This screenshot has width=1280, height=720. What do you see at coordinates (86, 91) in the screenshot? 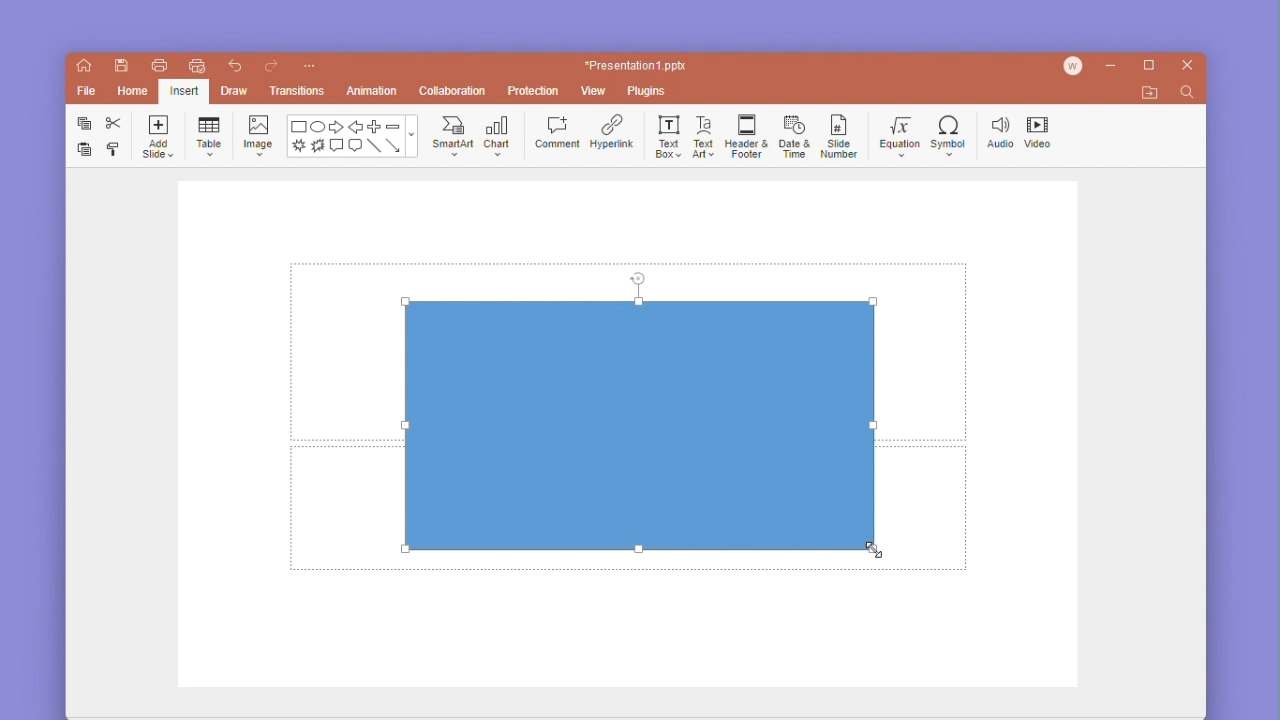
I see `file` at bounding box center [86, 91].